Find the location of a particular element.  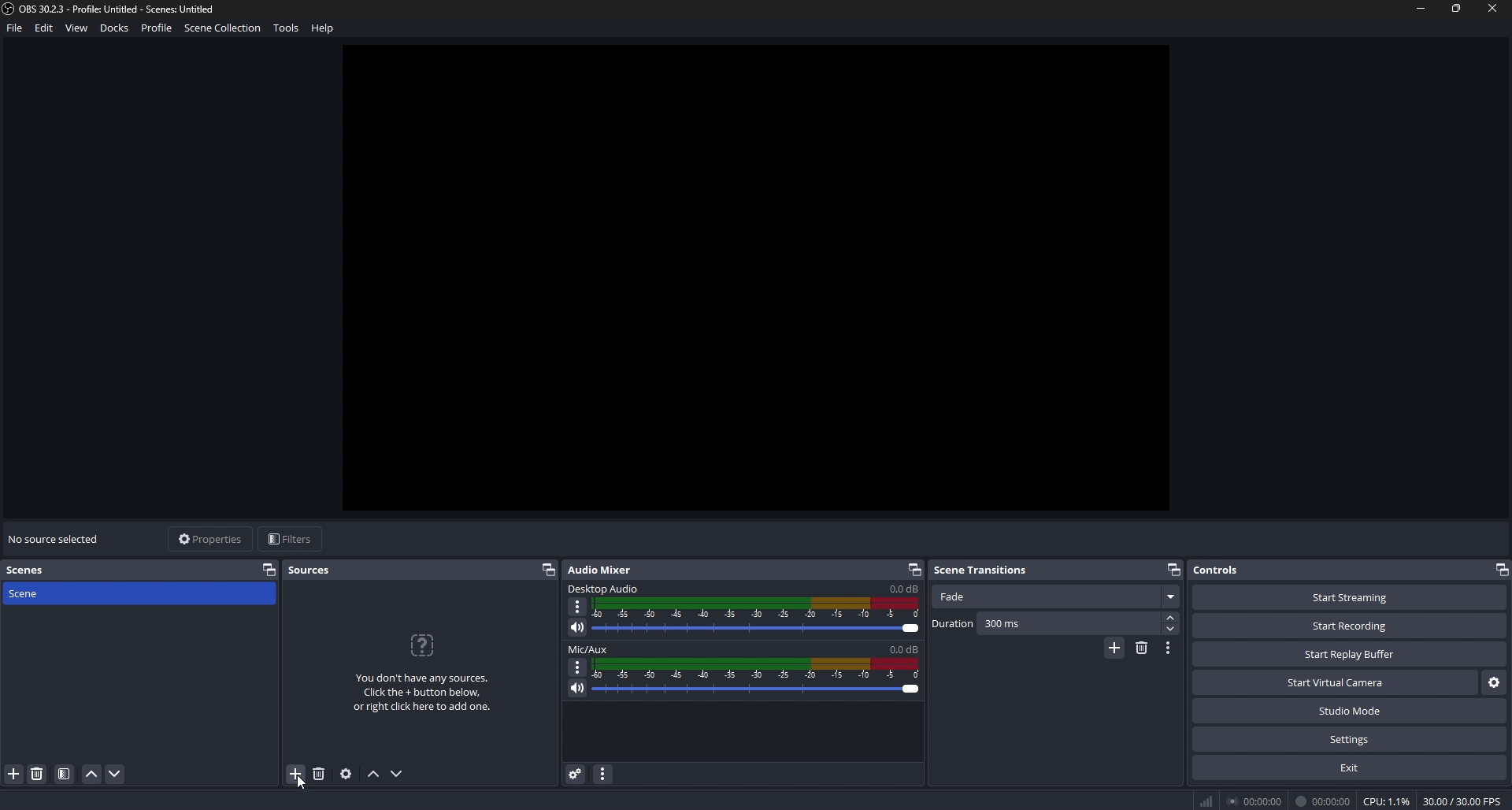

audio mixer is located at coordinates (608, 569).